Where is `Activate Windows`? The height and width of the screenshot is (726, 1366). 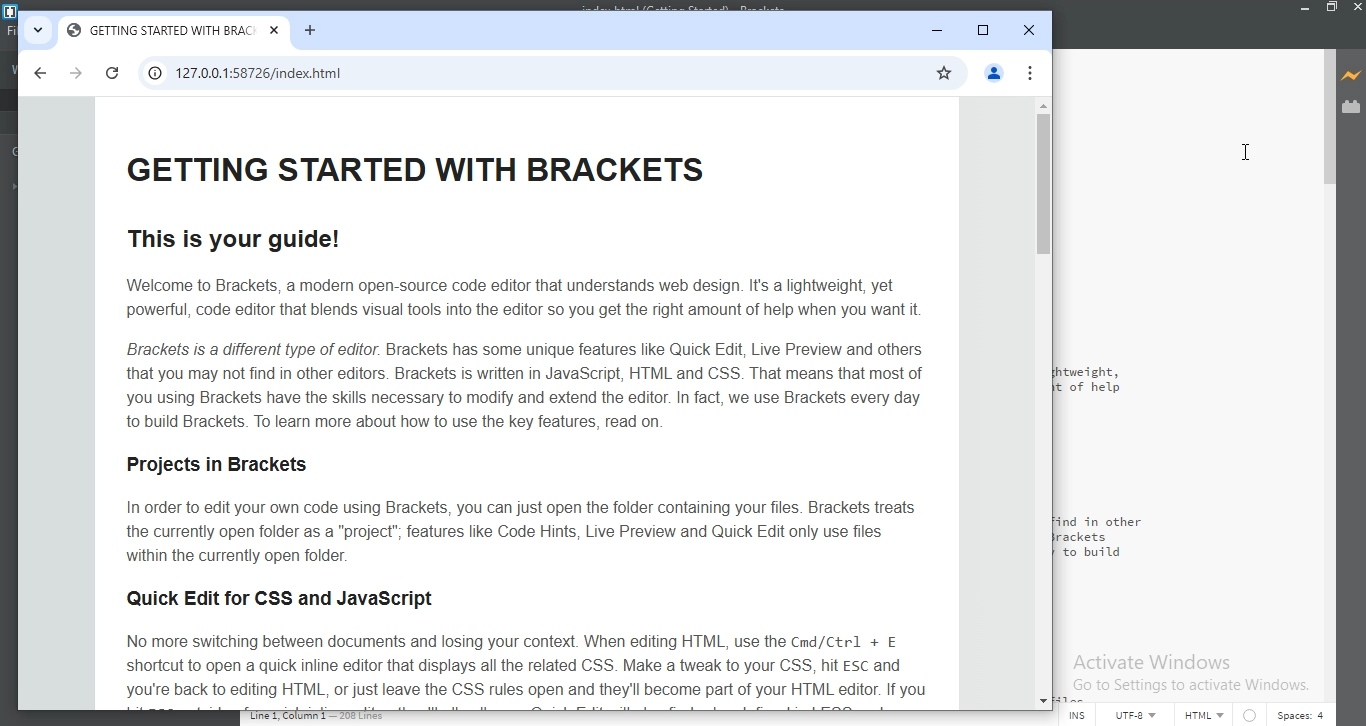 Activate Windows is located at coordinates (1181, 678).